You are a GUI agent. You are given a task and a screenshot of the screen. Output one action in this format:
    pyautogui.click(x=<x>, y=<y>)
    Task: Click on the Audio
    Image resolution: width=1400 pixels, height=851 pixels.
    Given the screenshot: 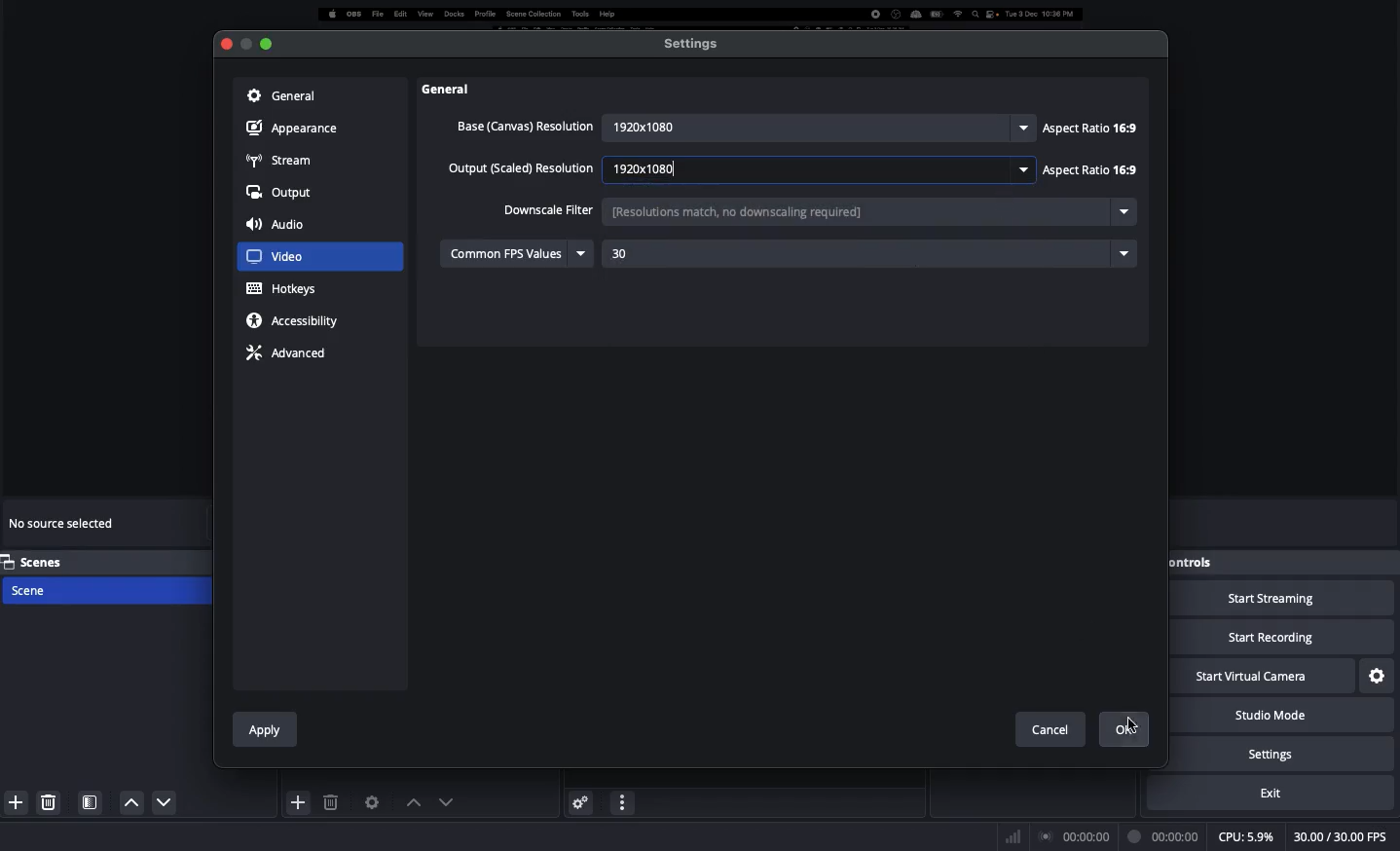 What is the action you would take?
    pyautogui.click(x=279, y=226)
    